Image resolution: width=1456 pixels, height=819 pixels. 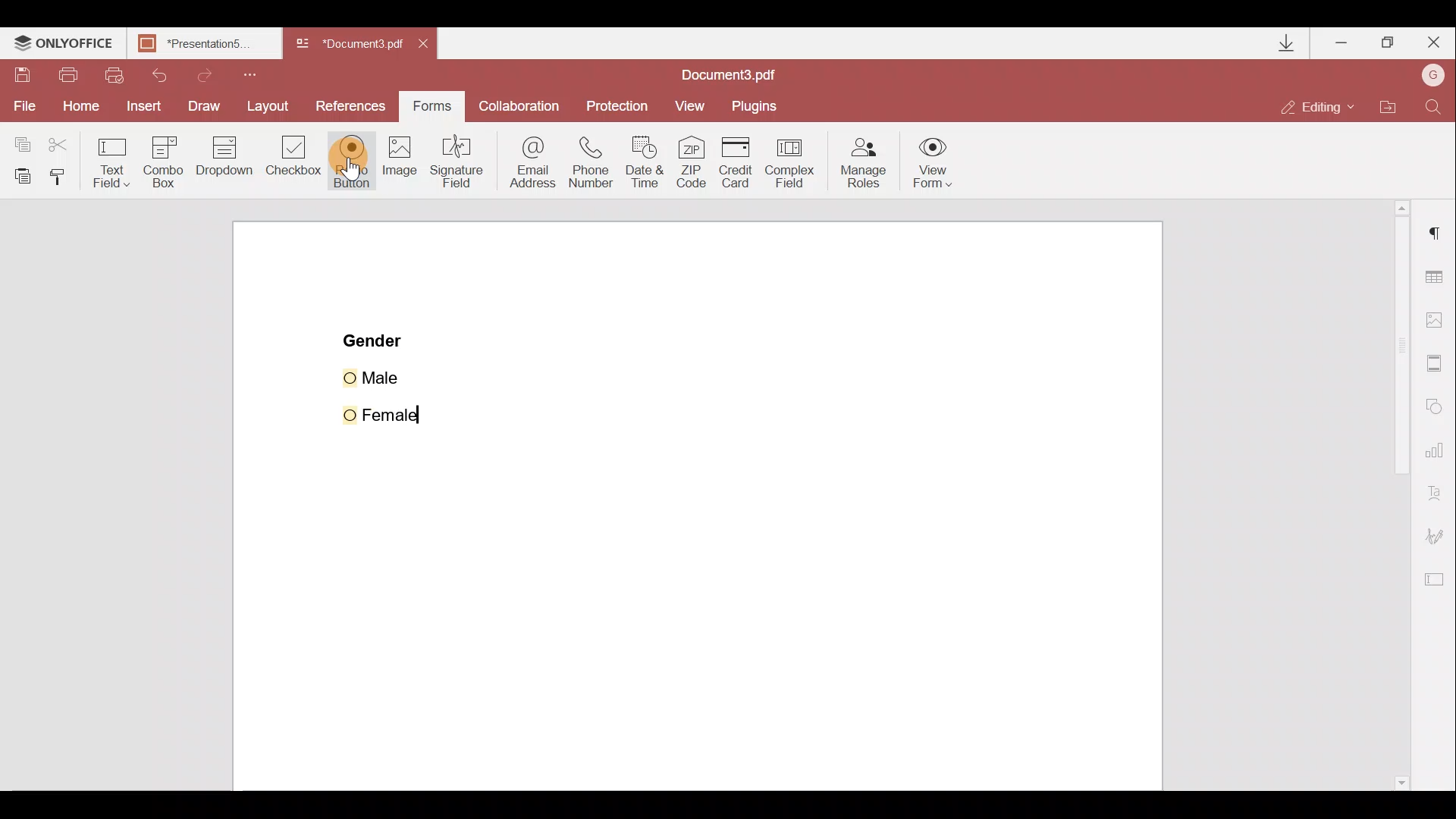 What do you see at coordinates (427, 45) in the screenshot?
I see `Close document` at bounding box center [427, 45].